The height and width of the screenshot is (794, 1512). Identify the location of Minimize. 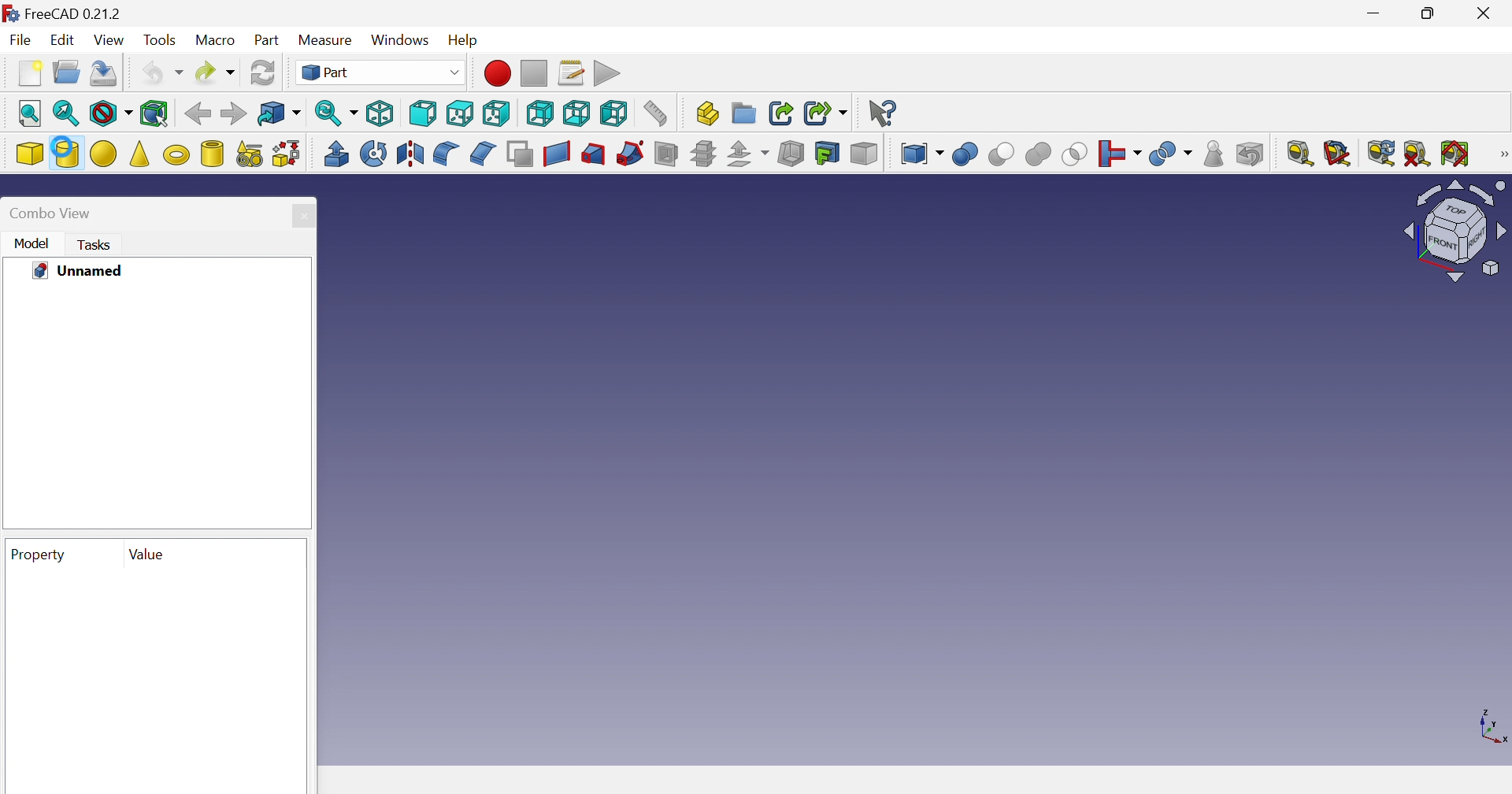
(1374, 13).